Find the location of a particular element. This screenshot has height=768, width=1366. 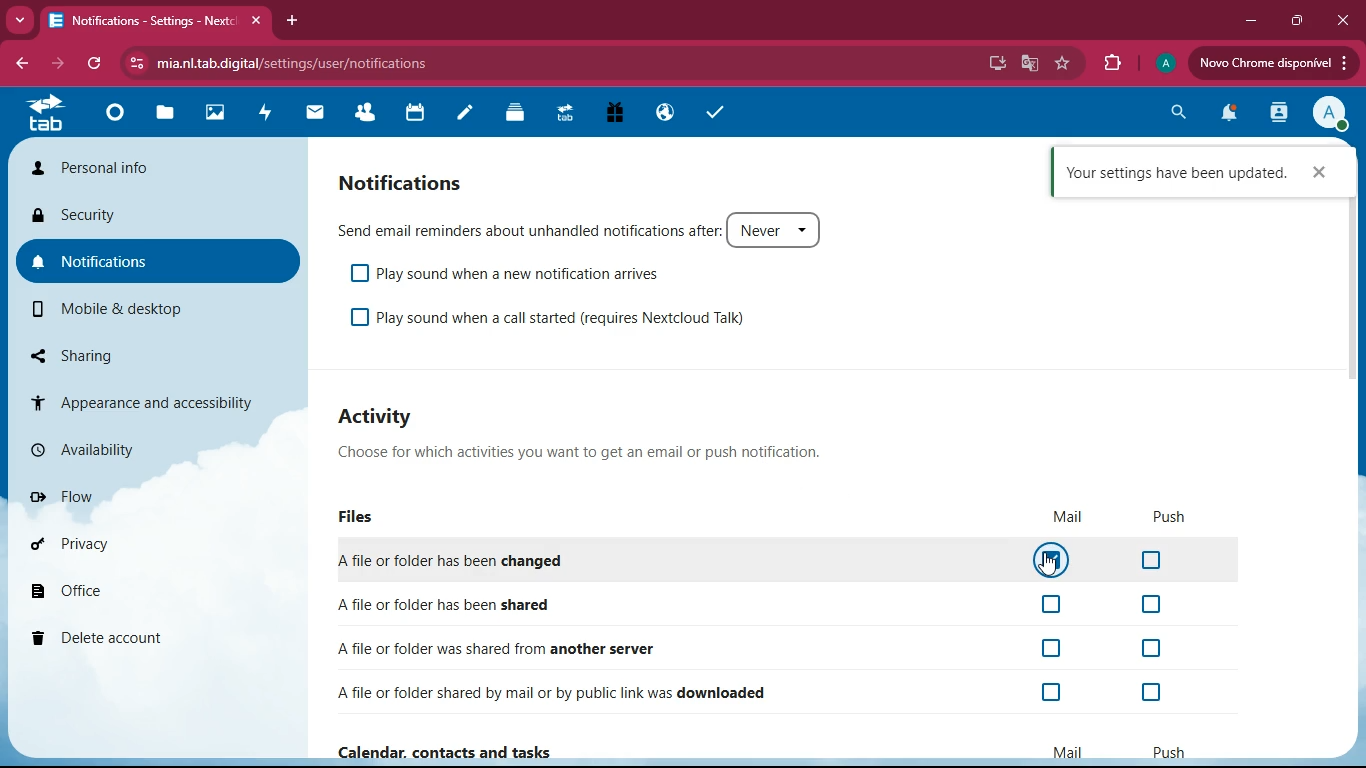

files is located at coordinates (519, 117).